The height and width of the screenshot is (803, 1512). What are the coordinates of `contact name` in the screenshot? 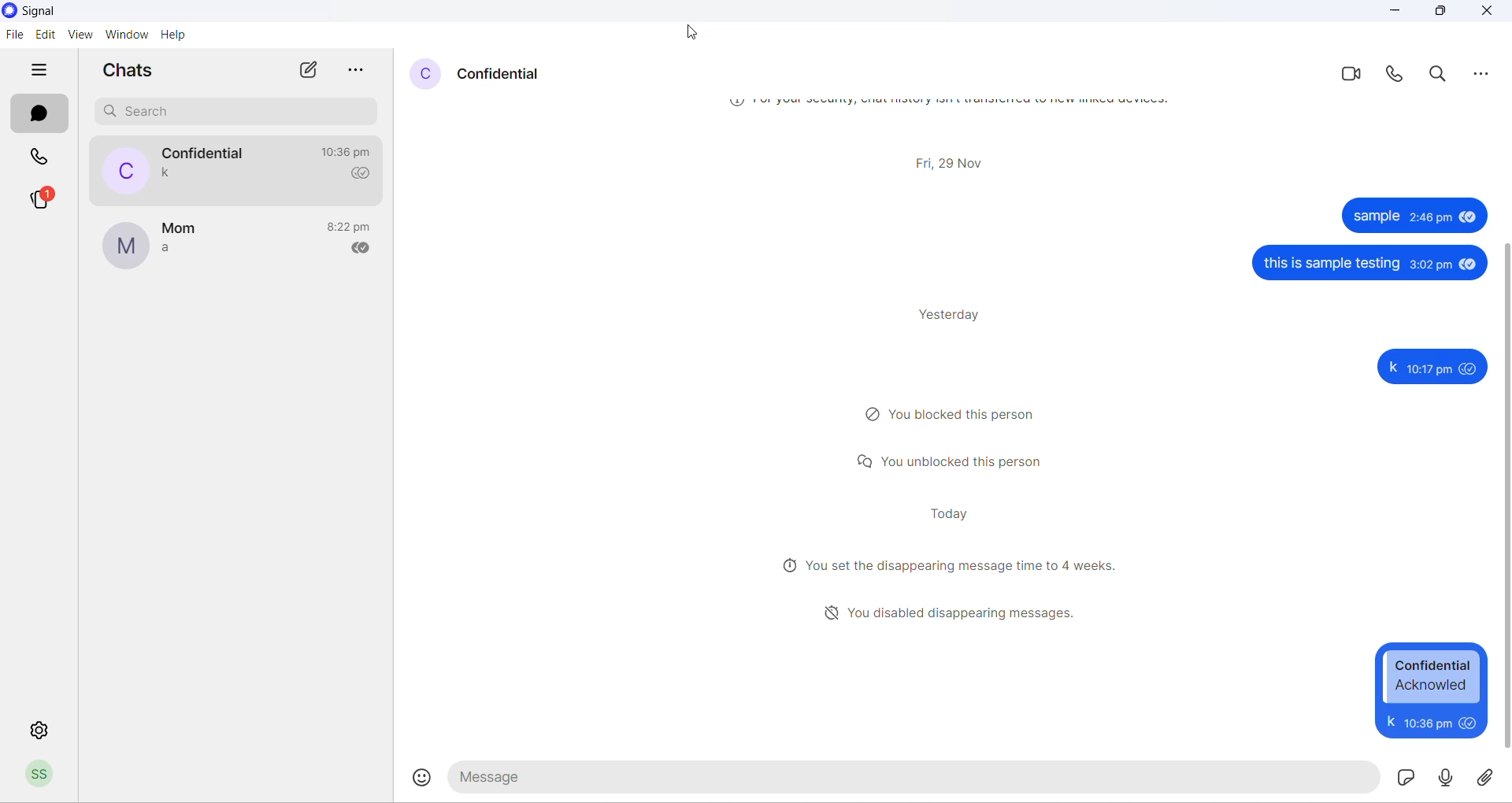 It's located at (180, 230).